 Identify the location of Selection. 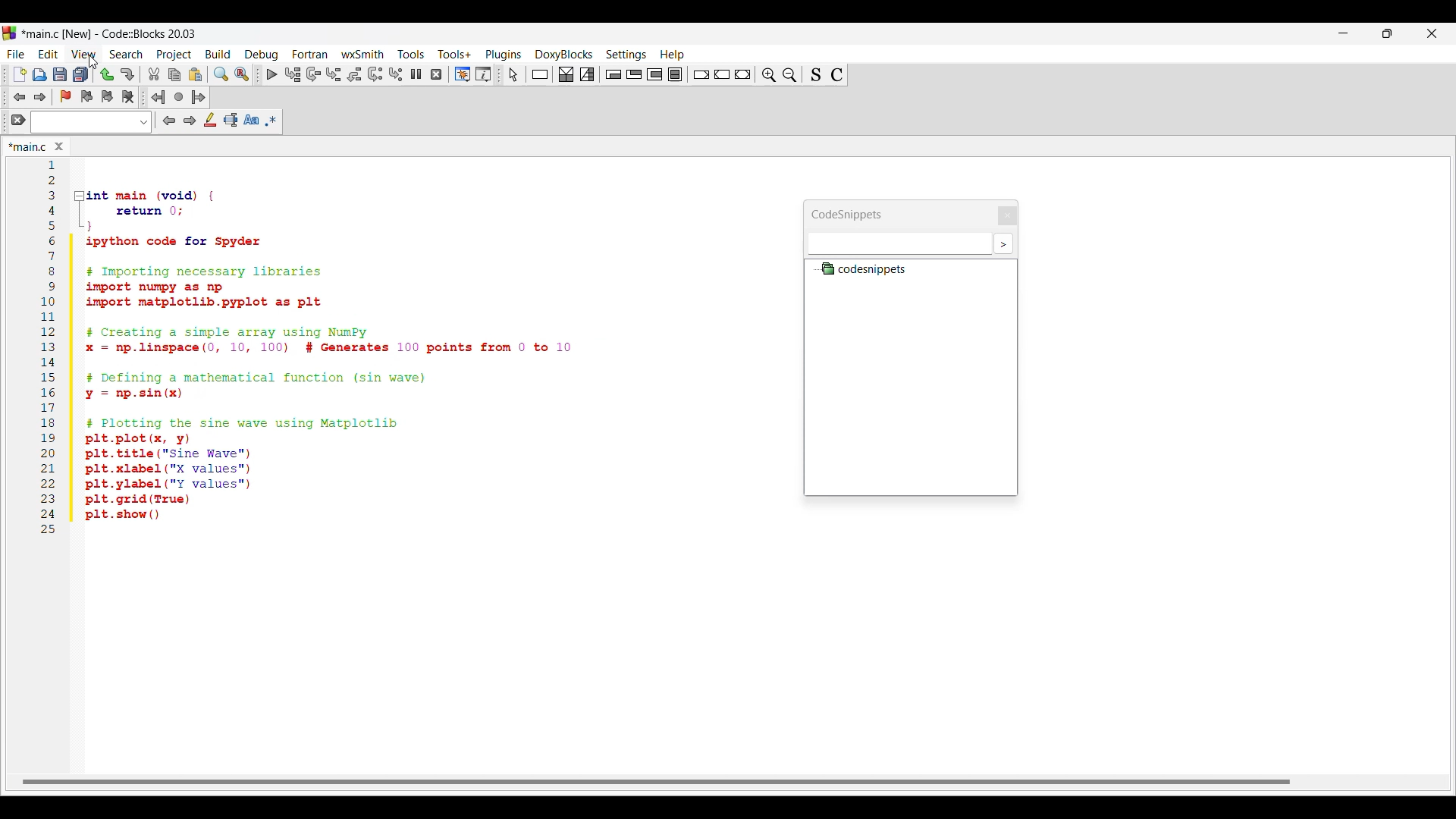
(587, 74).